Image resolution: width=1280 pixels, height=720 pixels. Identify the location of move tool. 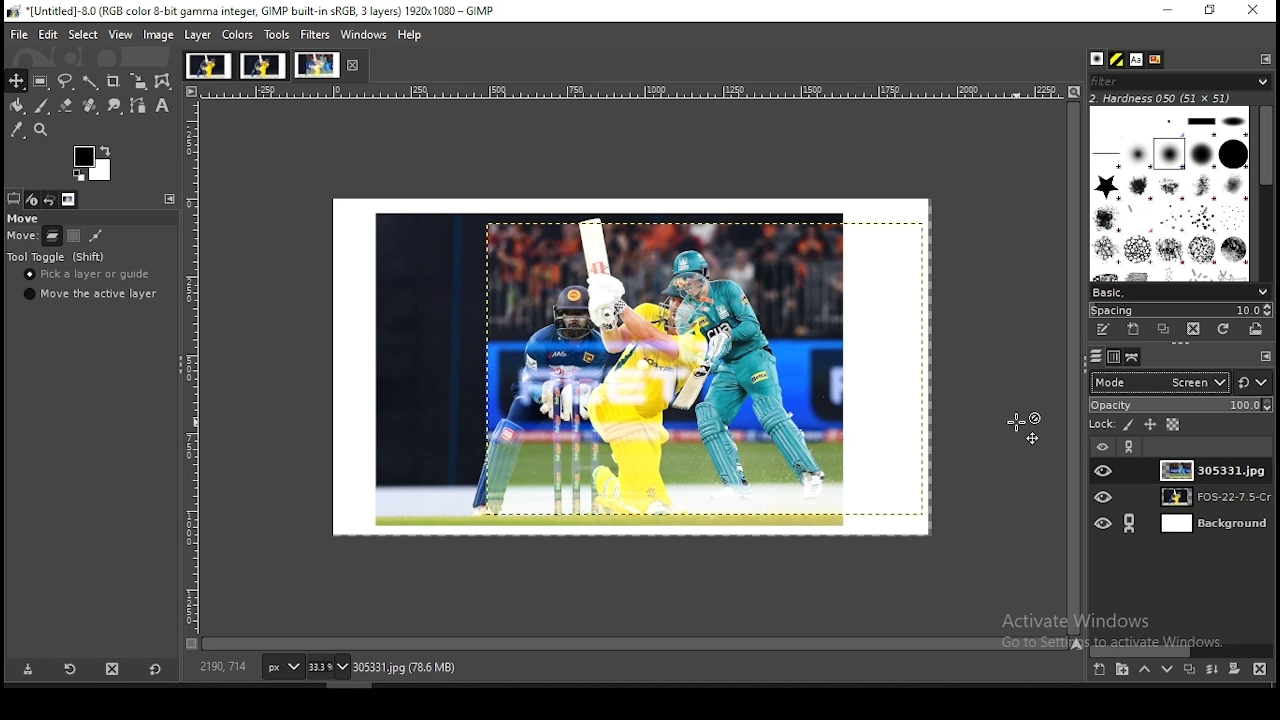
(17, 81).